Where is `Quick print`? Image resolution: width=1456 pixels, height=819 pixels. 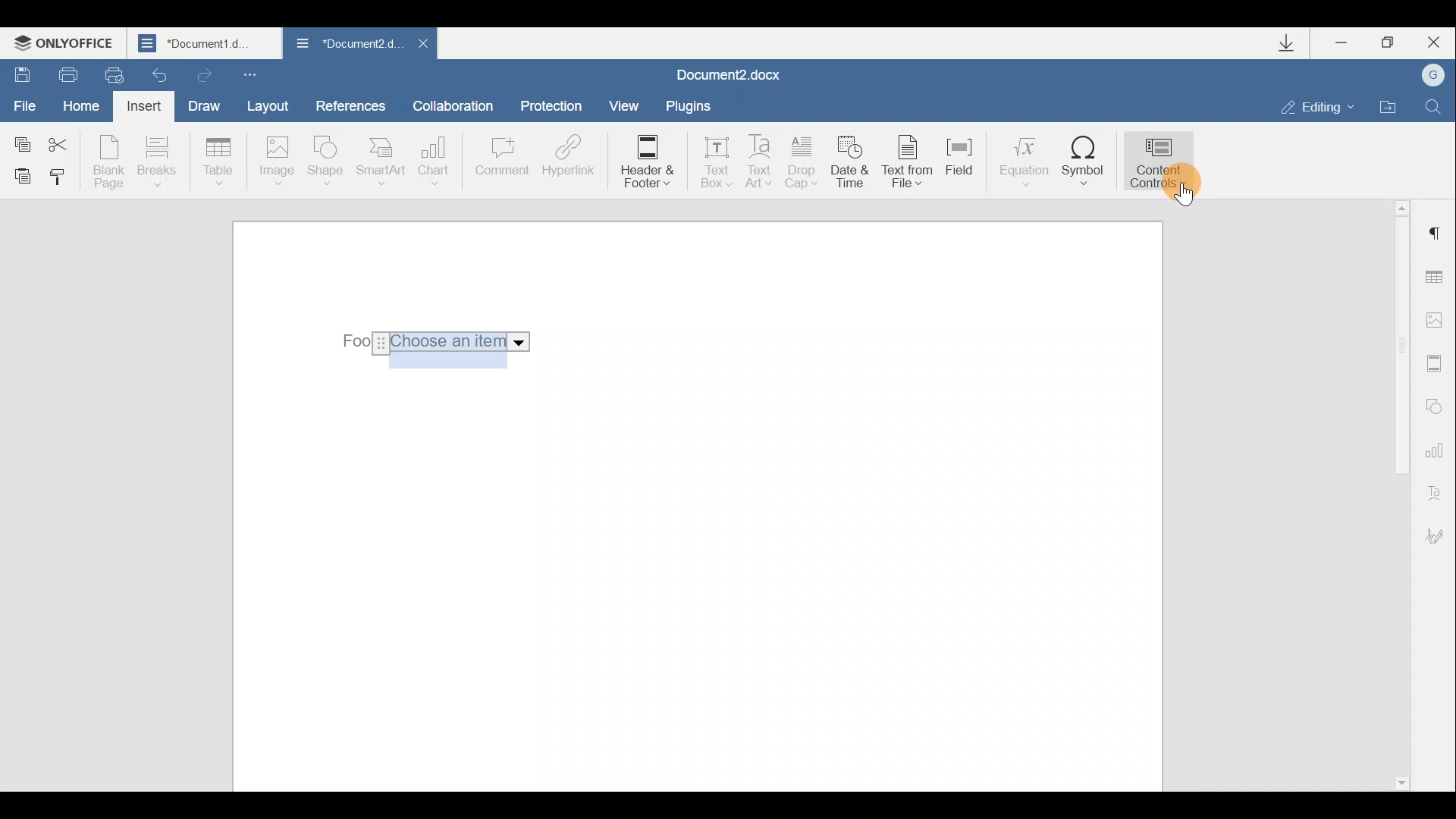
Quick print is located at coordinates (112, 76).